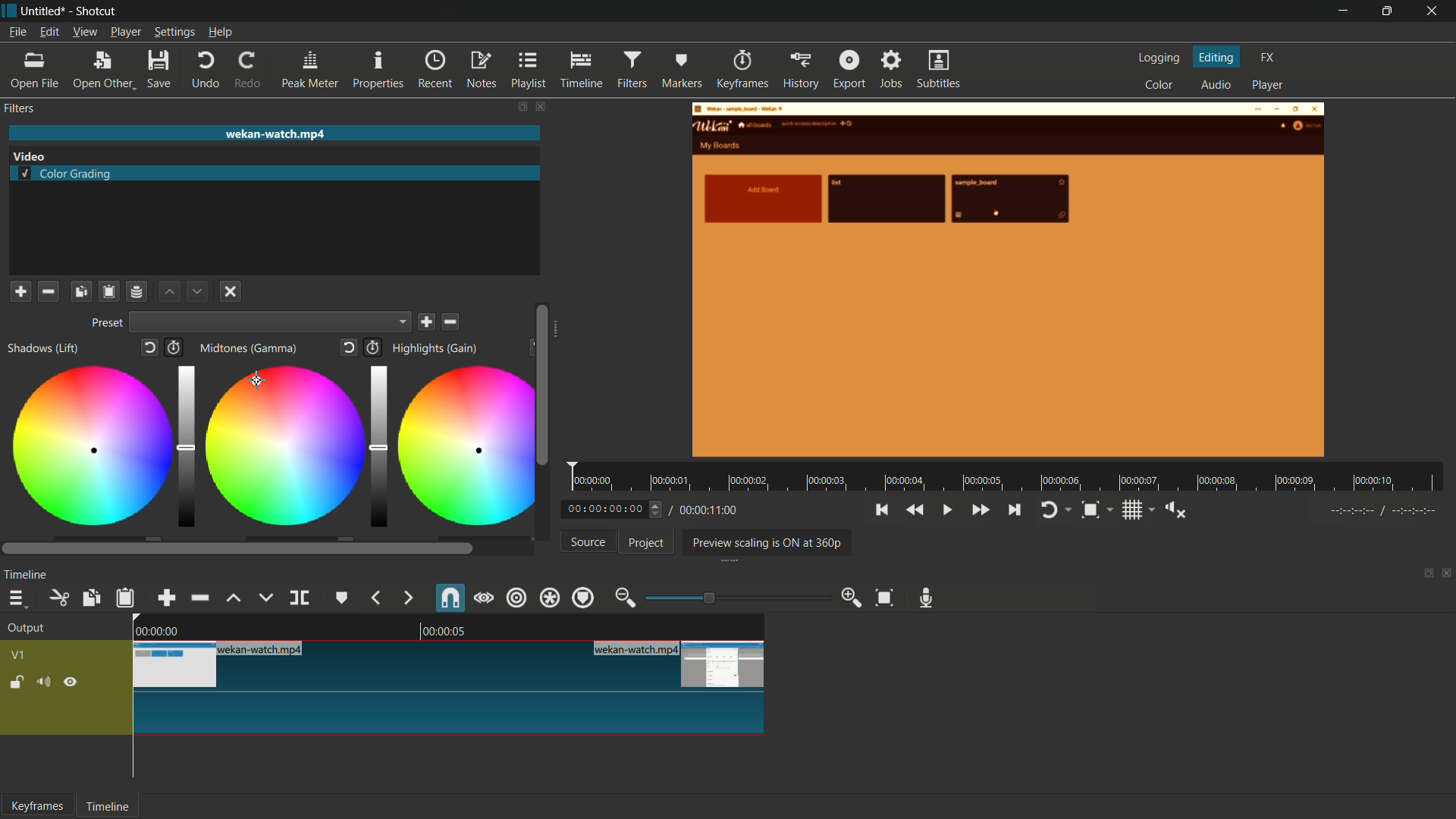  Describe the element at coordinates (483, 598) in the screenshot. I see `scrub while dragging` at that location.